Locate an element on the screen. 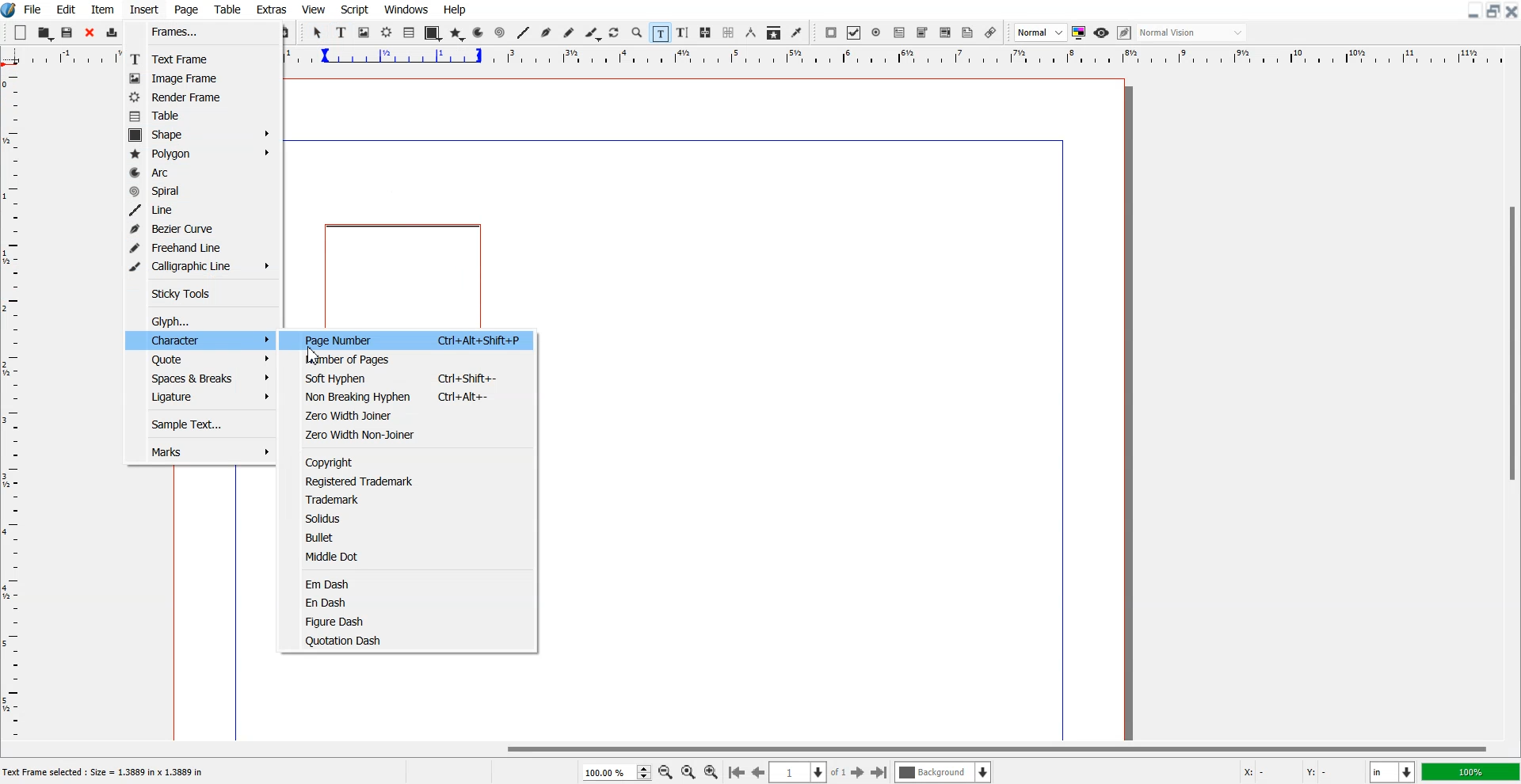 The height and width of the screenshot is (784, 1521). Glyph is located at coordinates (204, 319).